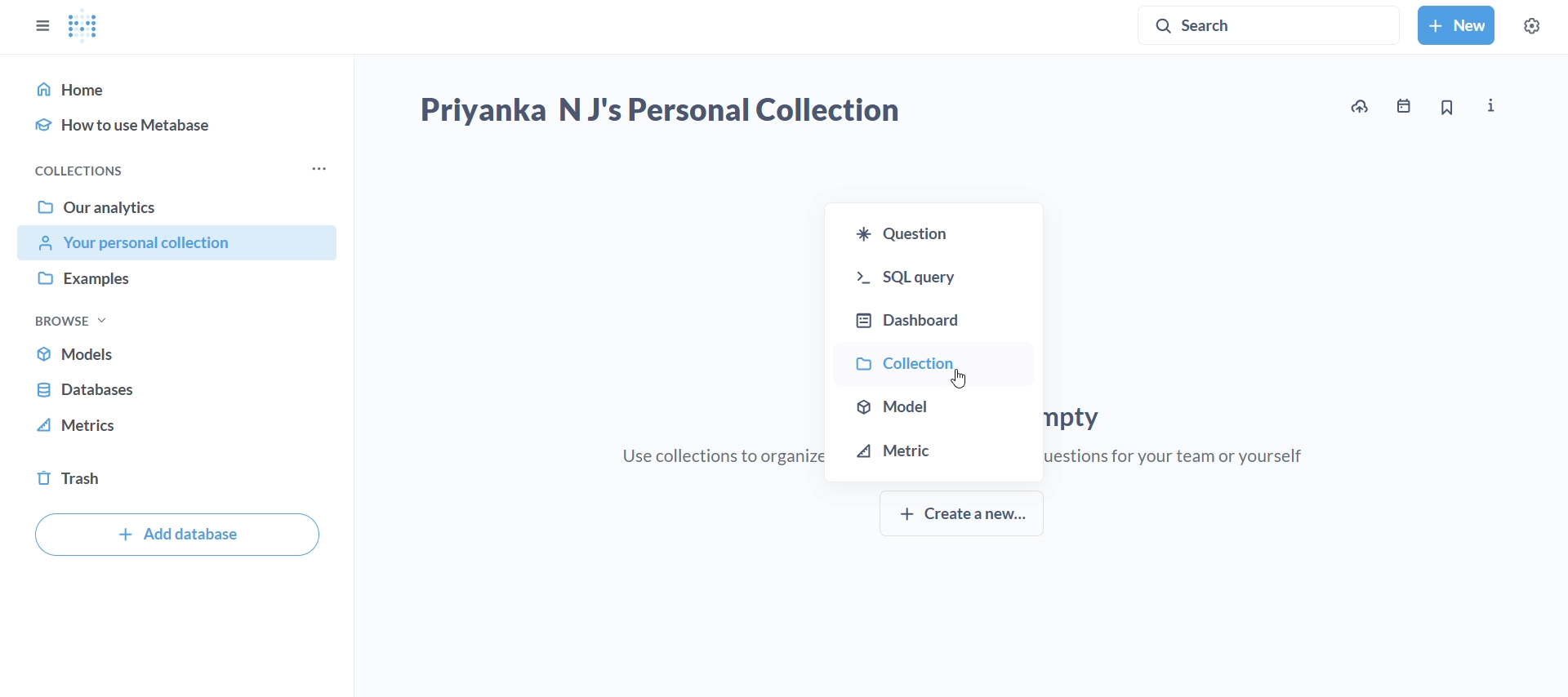 Image resolution: width=1568 pixels, height=697 pixels. I want to click on your personal collection, so click(177, 244).